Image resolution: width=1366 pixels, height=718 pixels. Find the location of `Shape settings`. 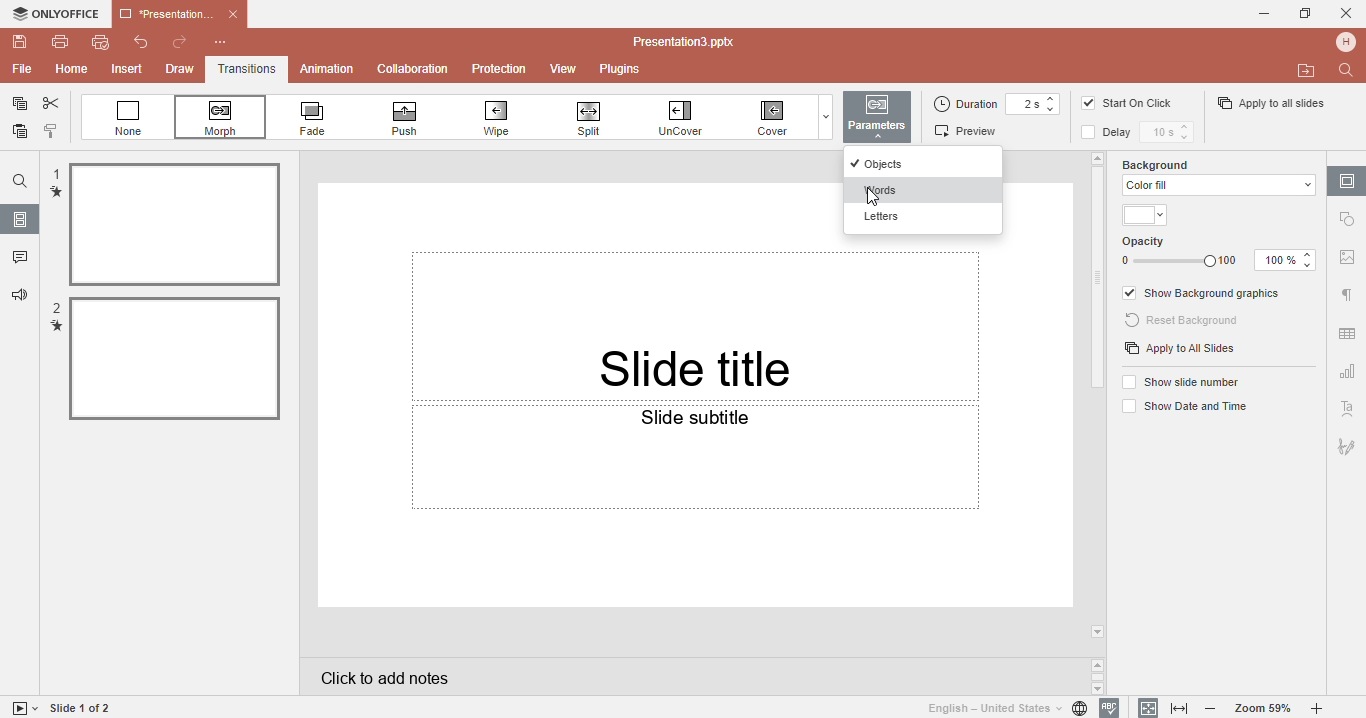

Shape settings is located at coordinates (1349, 219).